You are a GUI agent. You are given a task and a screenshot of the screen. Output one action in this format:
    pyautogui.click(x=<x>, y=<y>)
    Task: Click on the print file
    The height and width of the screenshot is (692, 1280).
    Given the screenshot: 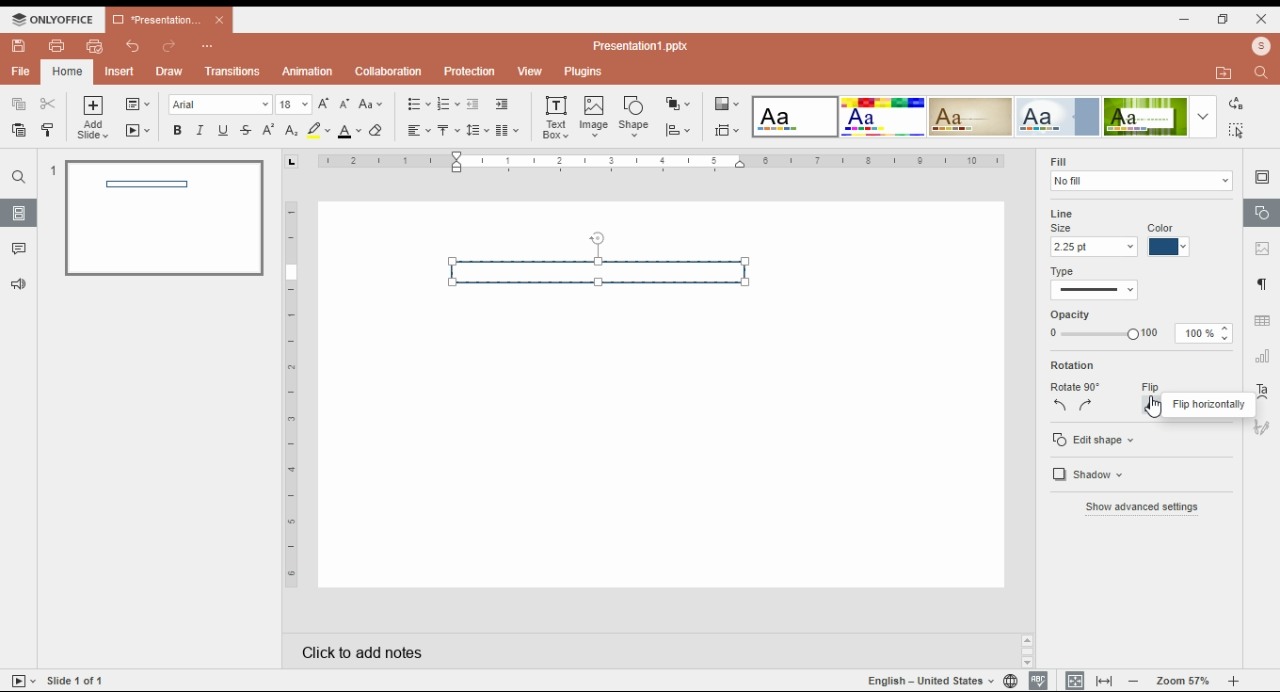 What is the action you would take?
    pyautogui.click(x=55, y=46)
    